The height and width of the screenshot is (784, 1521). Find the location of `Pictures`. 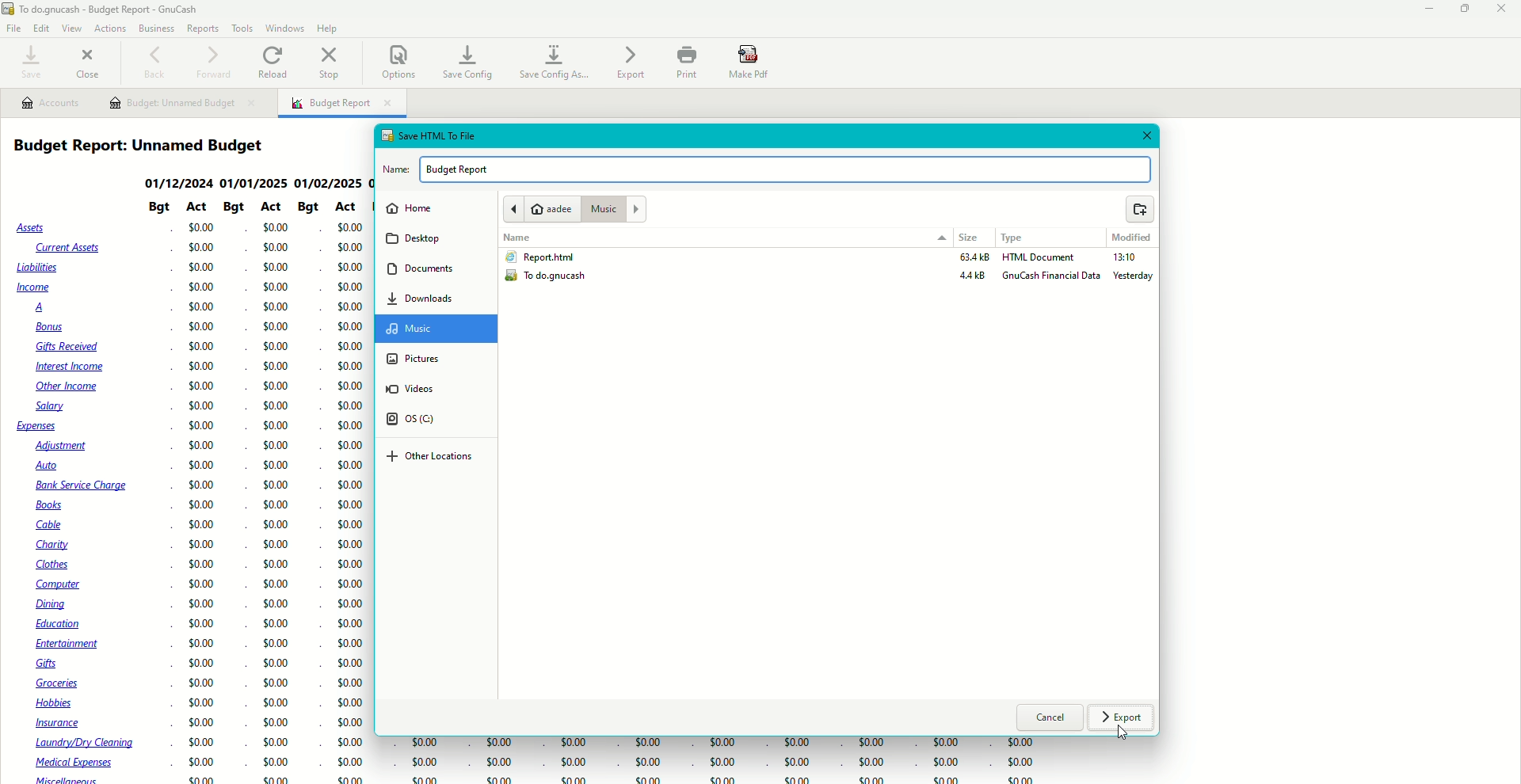

Pictures is located at coordinates (414, 358).